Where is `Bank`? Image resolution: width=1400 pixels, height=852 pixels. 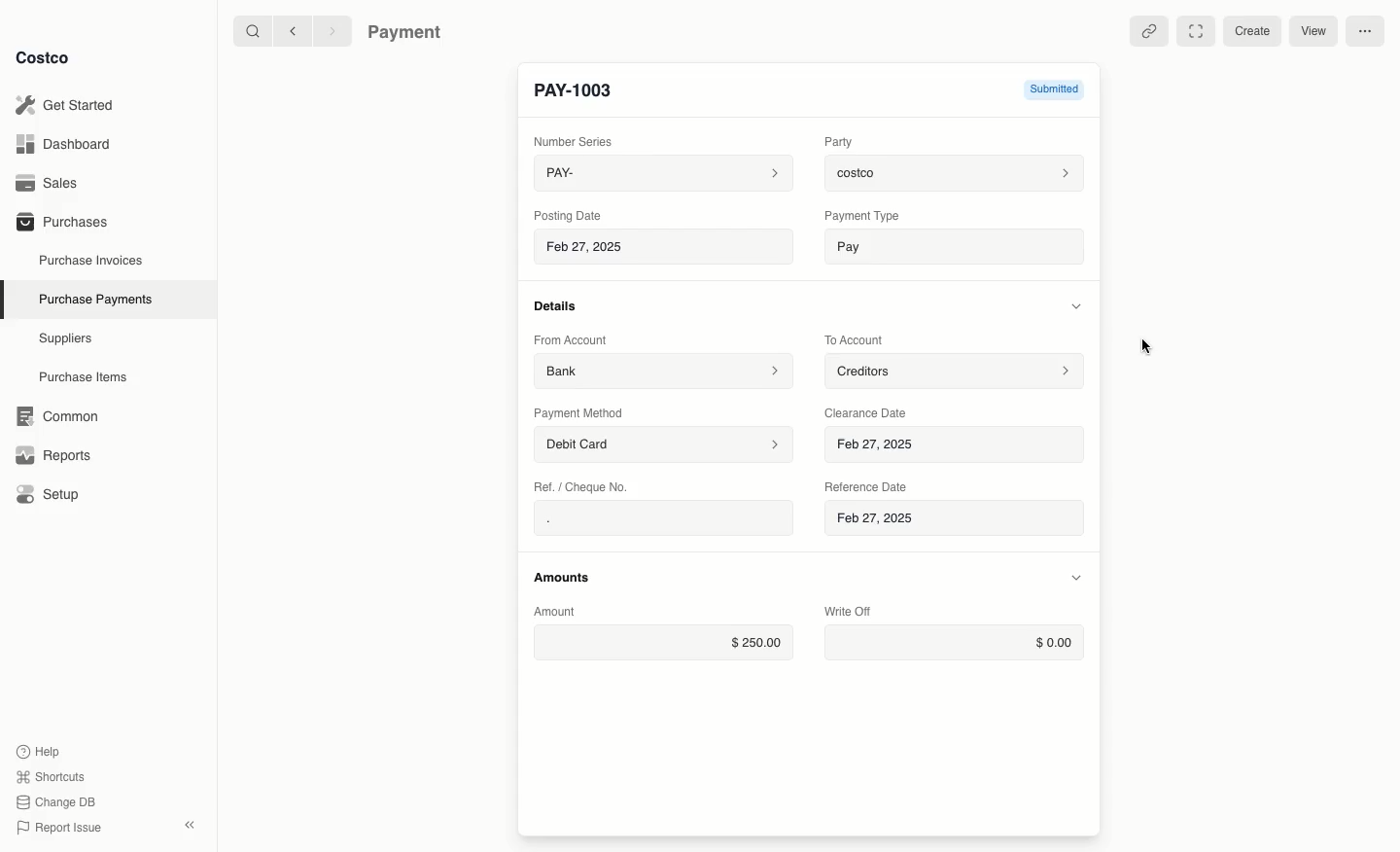
Bank is located at coordinates (662, 370).